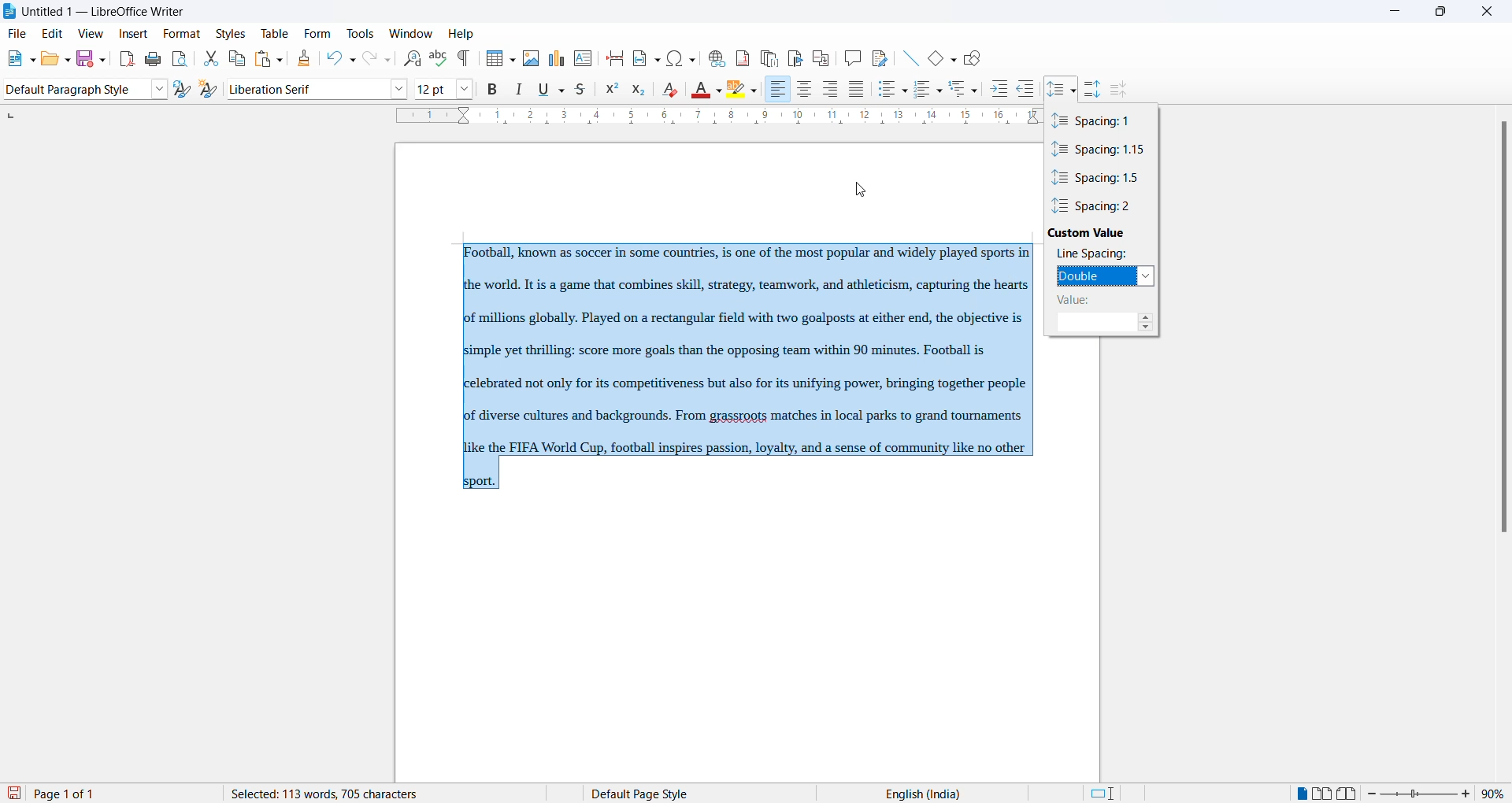  Describe the element at coordinates (1421, 794) in the screenshot. I see `zoom slider` at that location.